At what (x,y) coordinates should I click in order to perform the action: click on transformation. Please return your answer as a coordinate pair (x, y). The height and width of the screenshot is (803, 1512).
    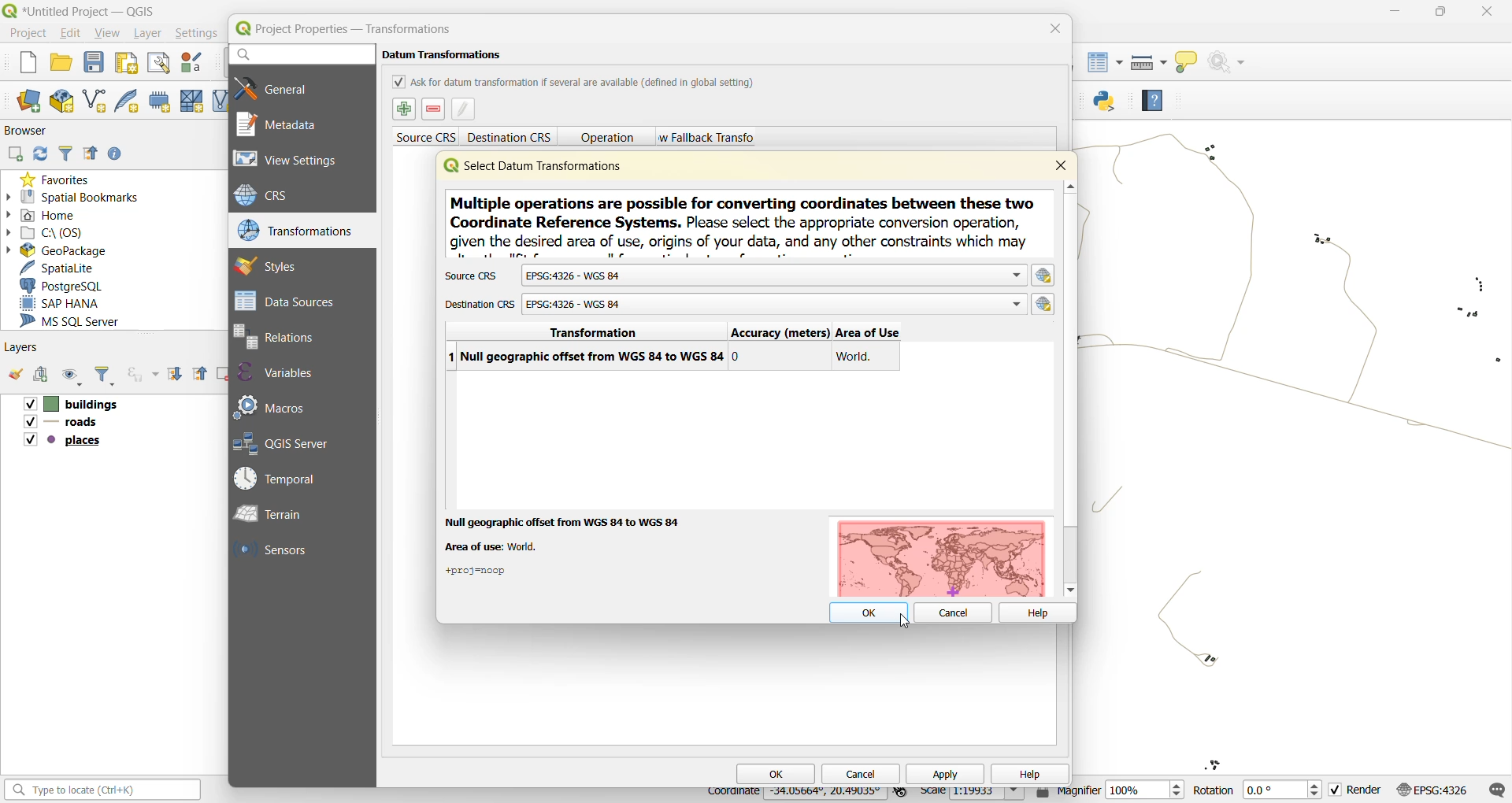
    Looking at the image, I should click on (590, 331).